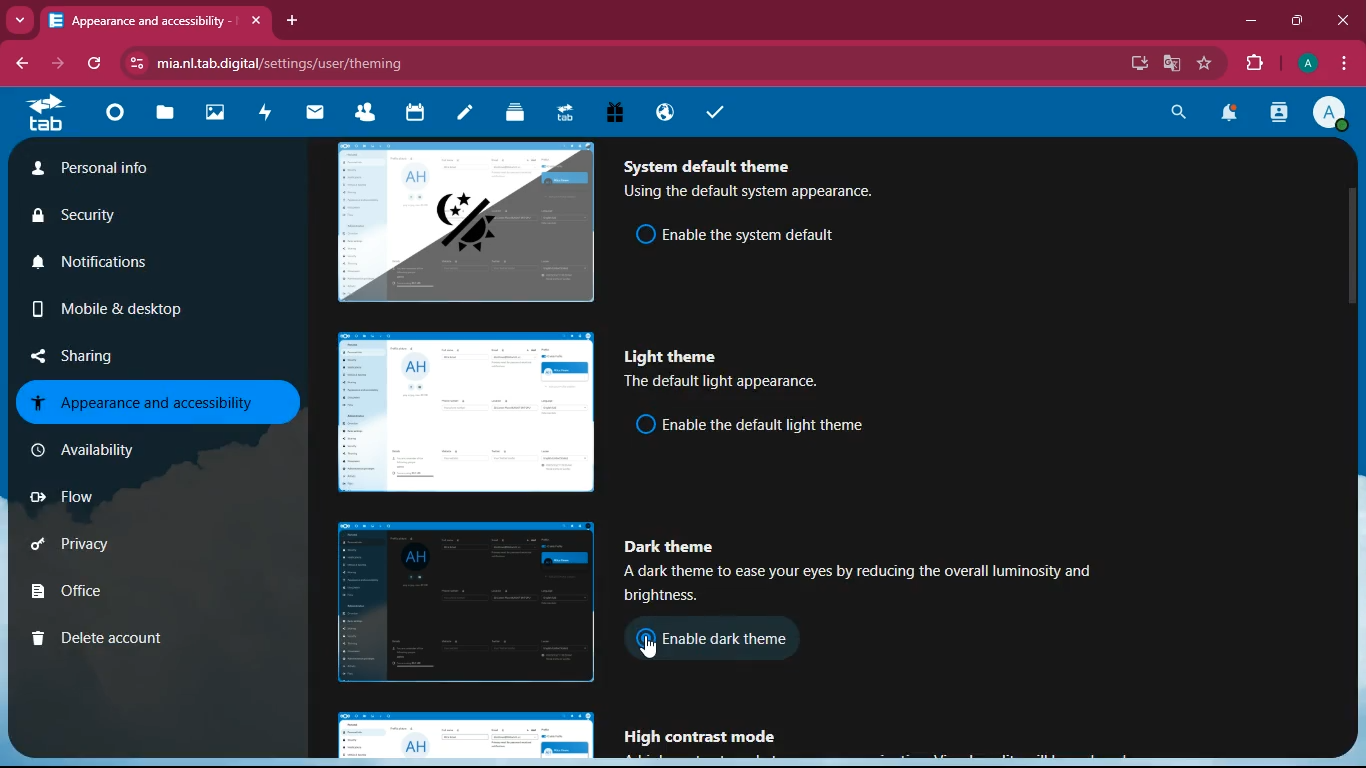 This screenshot has height=768, width=1366. What do you see at coordinates (1176, 64) in the screenshot?
I see `google translate` at bounding box center [1176, 64].